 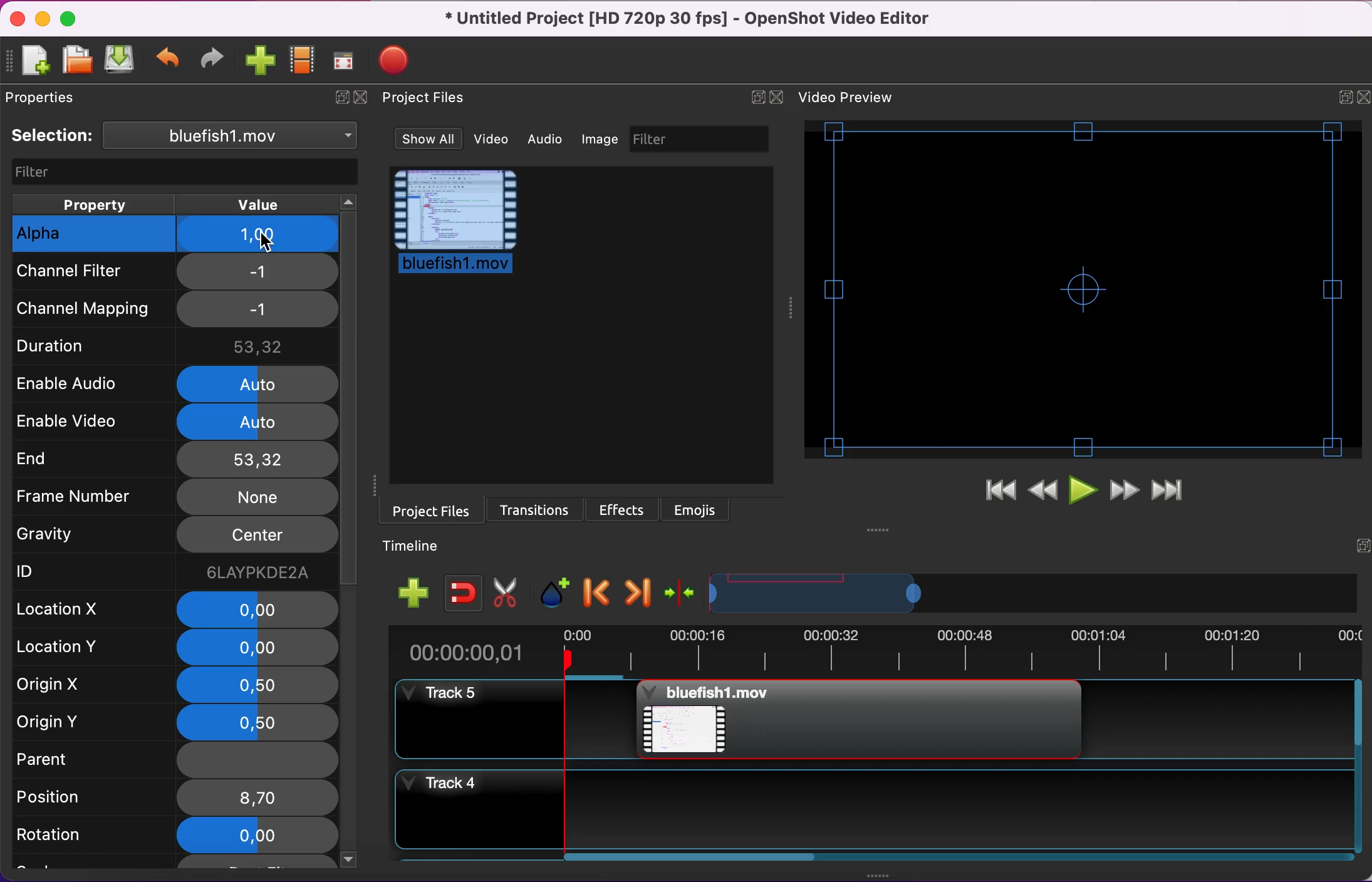 I want to click on expand/hide, so click(x=1361, y=546).